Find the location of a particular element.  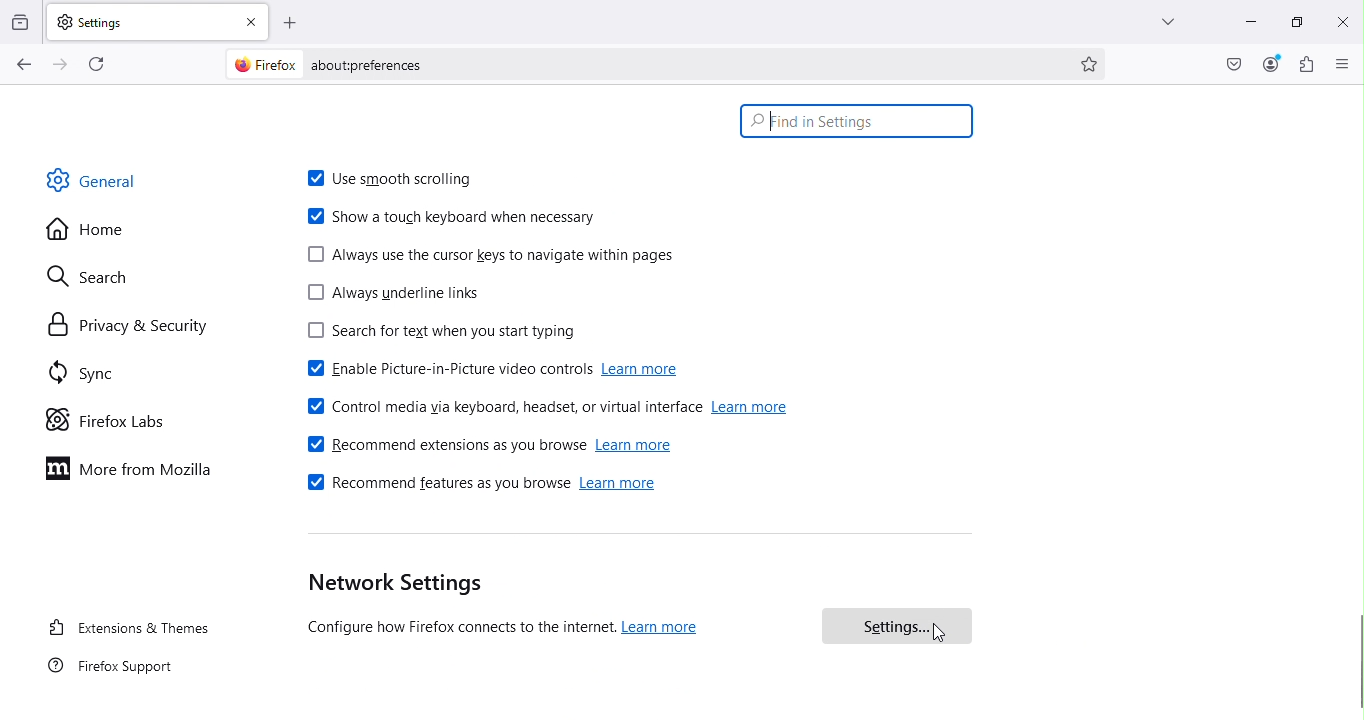

cursor is located at coordinates (1355, 662).